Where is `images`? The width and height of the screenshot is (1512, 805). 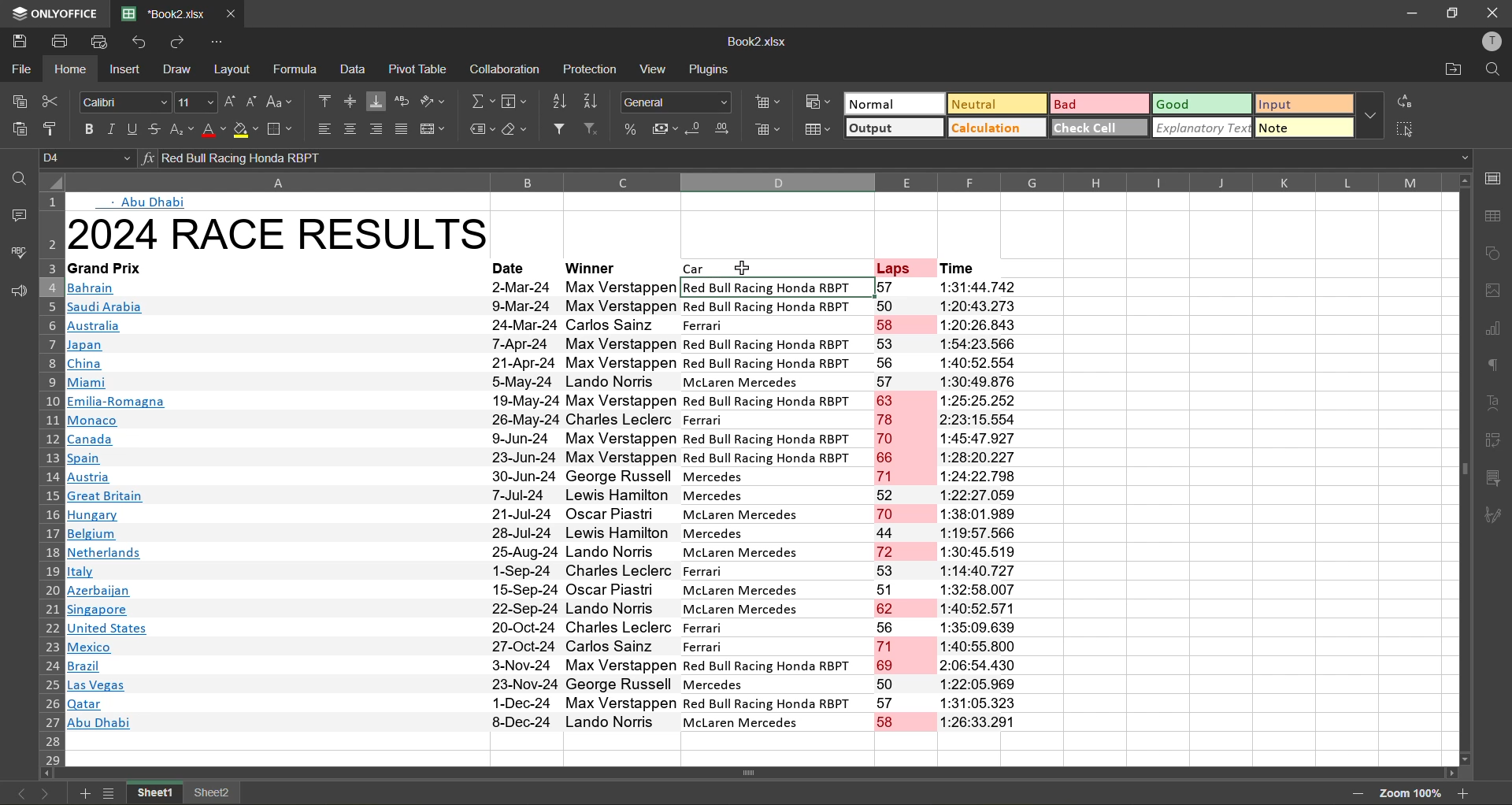
images is located at coordinates (1493, 293).